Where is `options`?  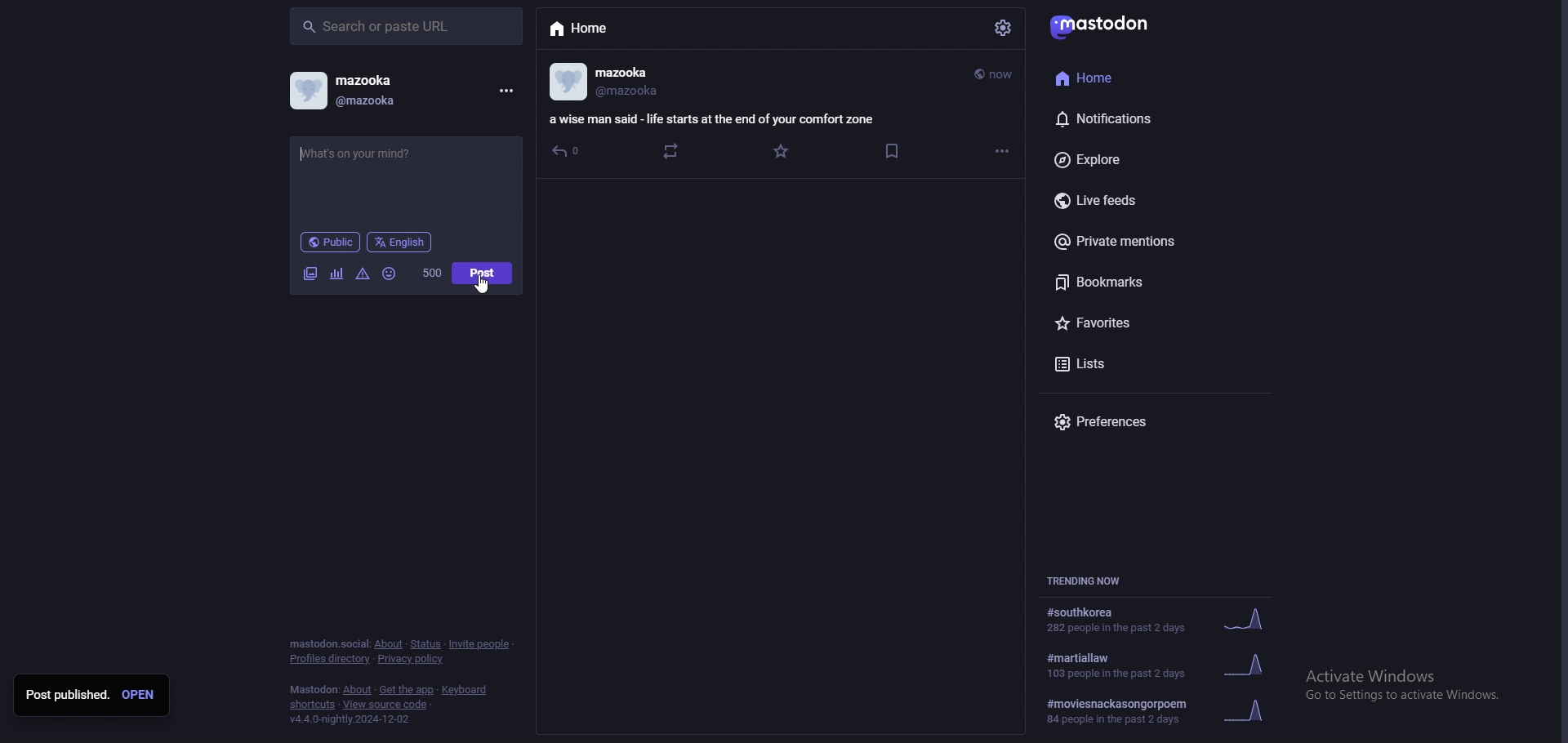
options is located at coordinates (1002, 151).